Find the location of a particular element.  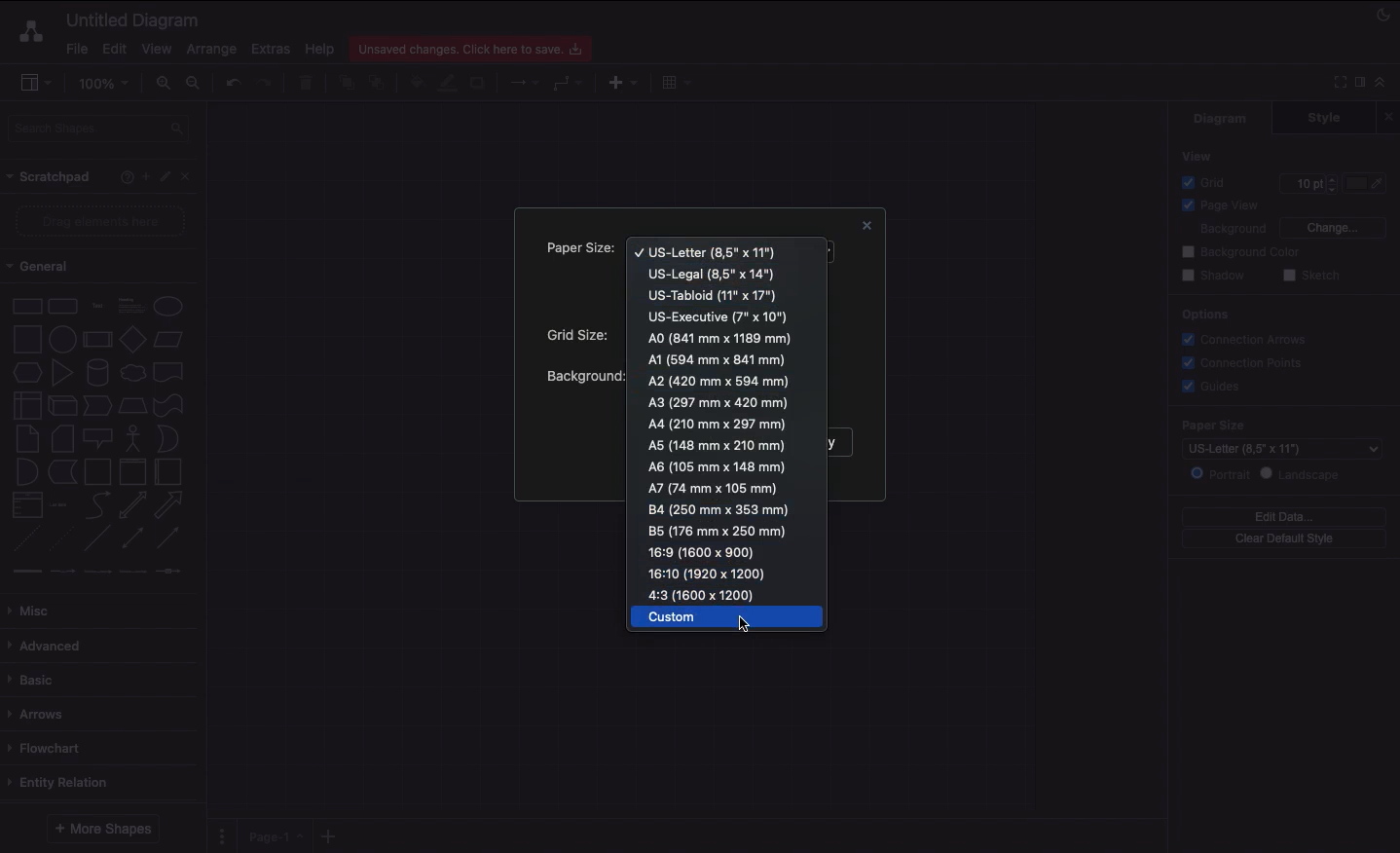

Actor is located at coordinates (133, 436).